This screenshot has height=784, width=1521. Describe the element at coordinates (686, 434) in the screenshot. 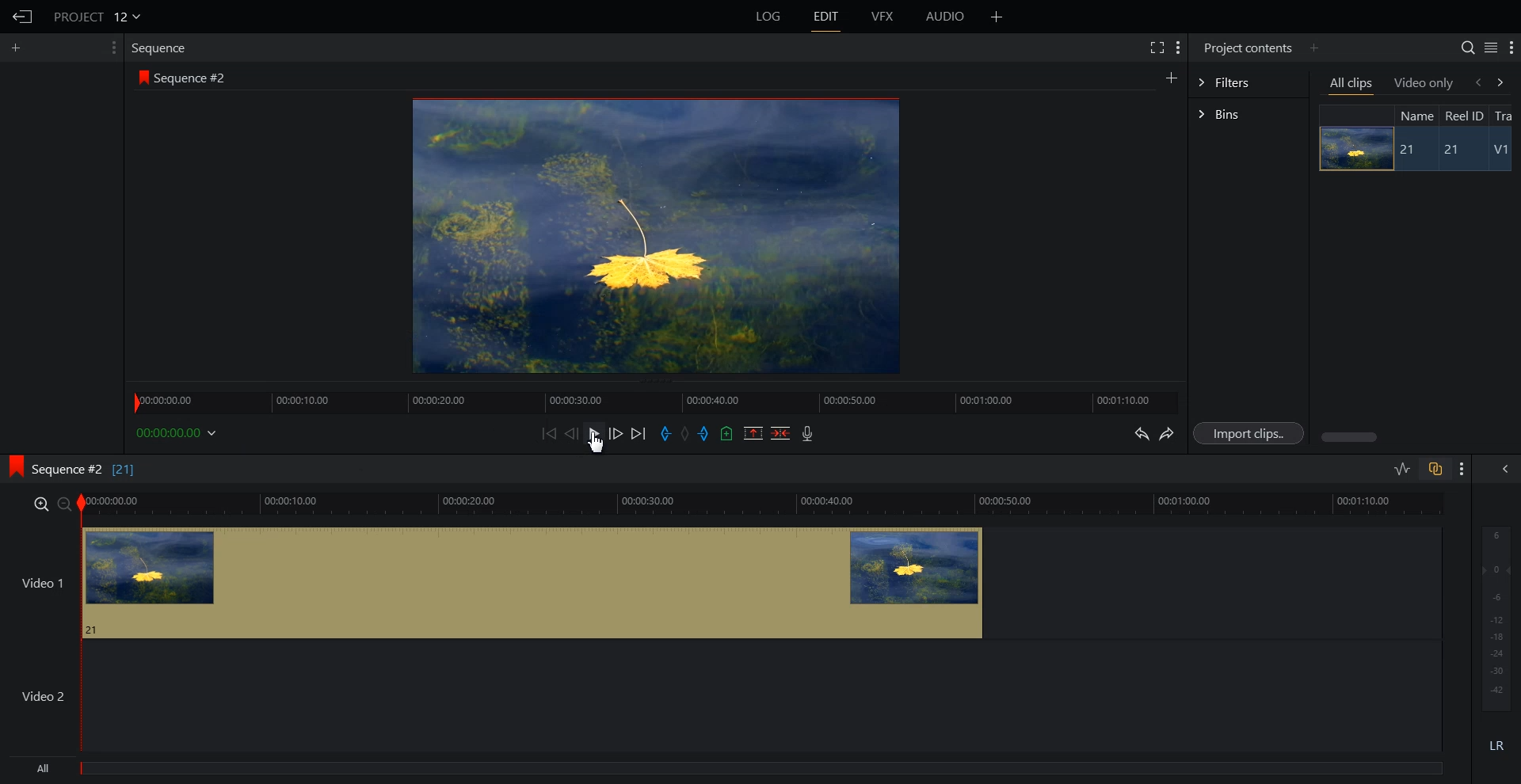

I see `Clear all marks` at that location.